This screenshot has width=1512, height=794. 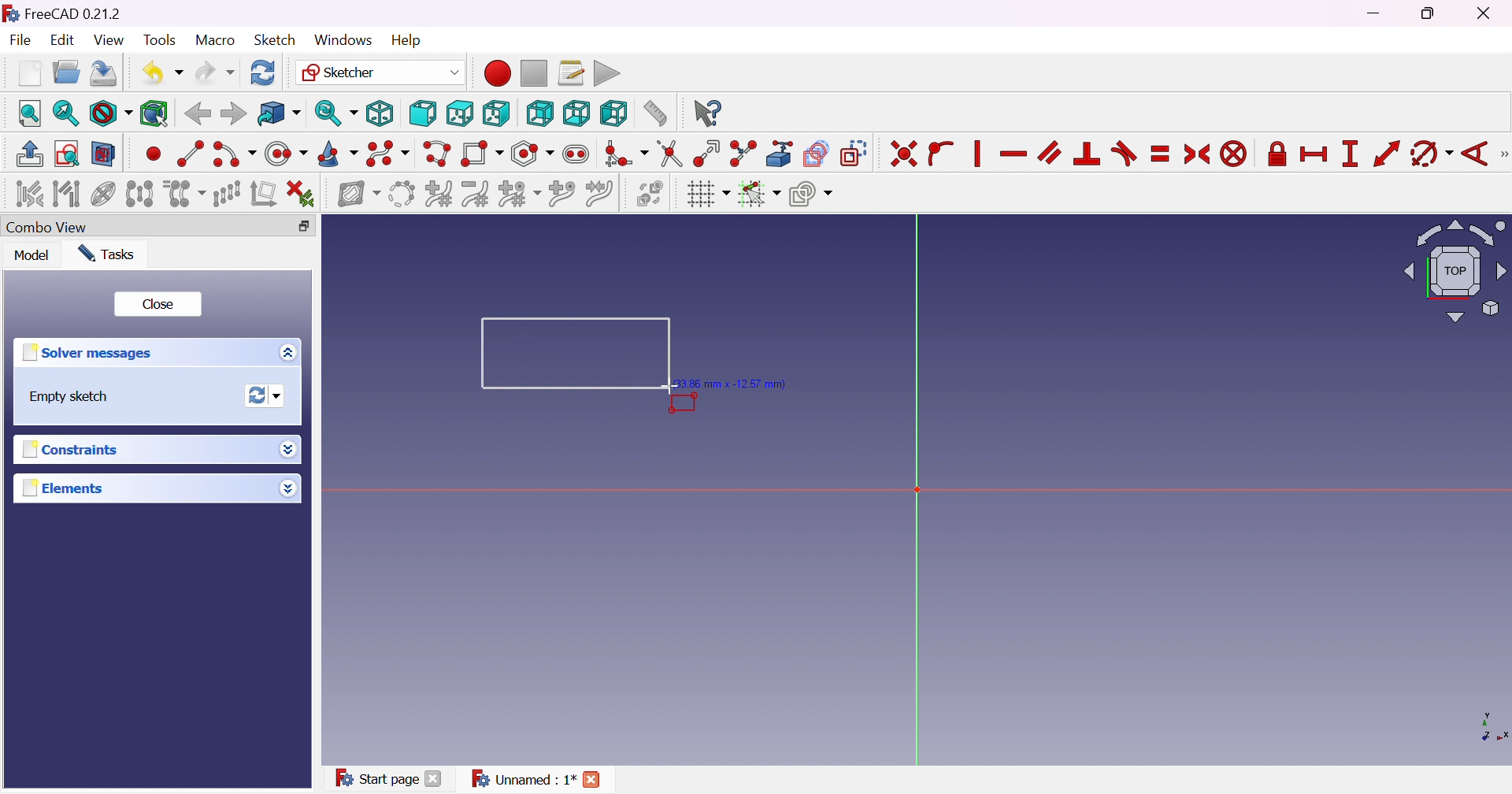 I want to click on Front, so click(x=422, y=114).